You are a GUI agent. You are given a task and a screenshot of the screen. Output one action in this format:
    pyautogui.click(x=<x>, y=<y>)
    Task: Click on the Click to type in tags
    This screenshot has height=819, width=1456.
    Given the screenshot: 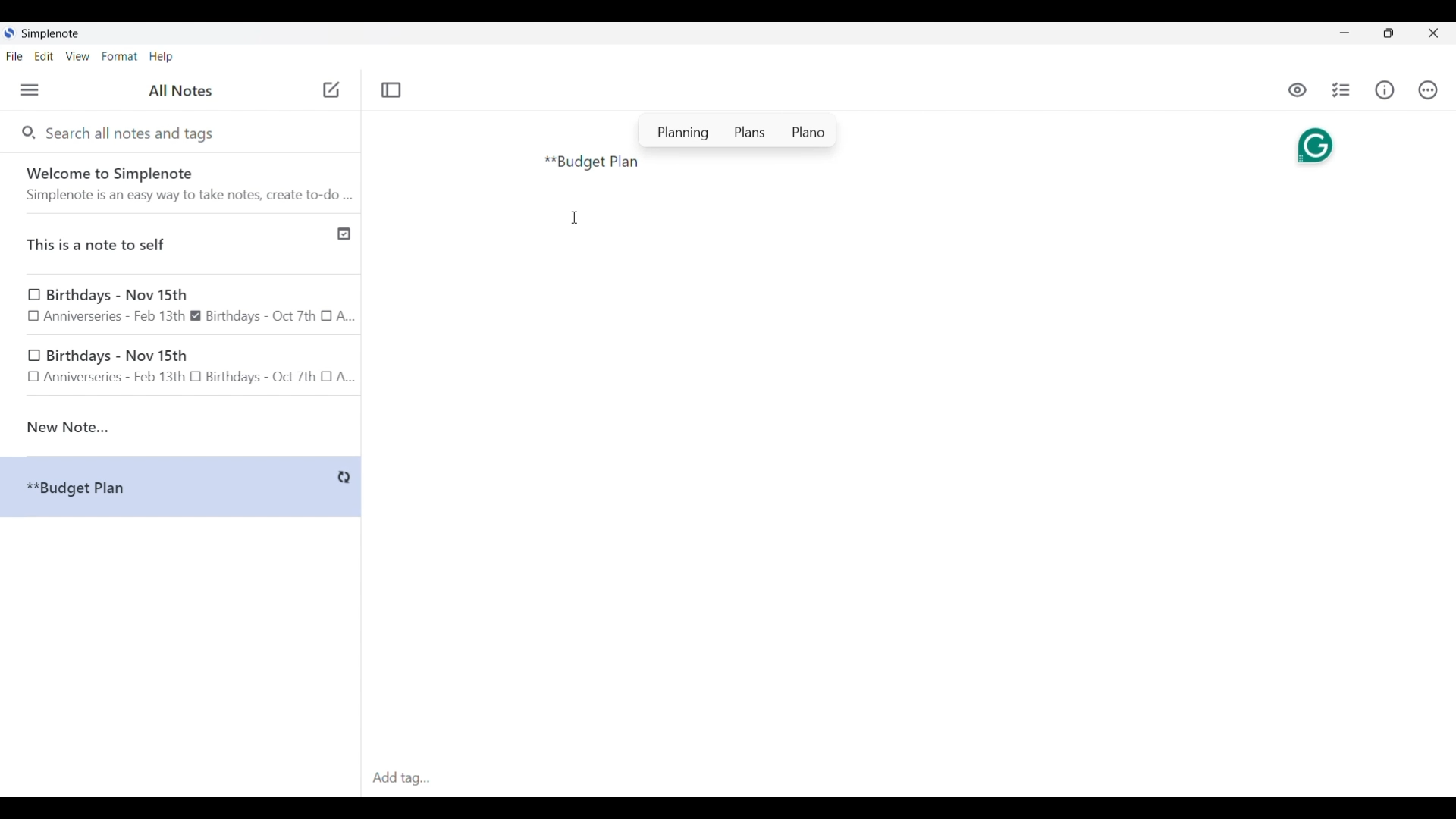 What is the action you would take?
    pyautogui.click(x=908, y=779)
    